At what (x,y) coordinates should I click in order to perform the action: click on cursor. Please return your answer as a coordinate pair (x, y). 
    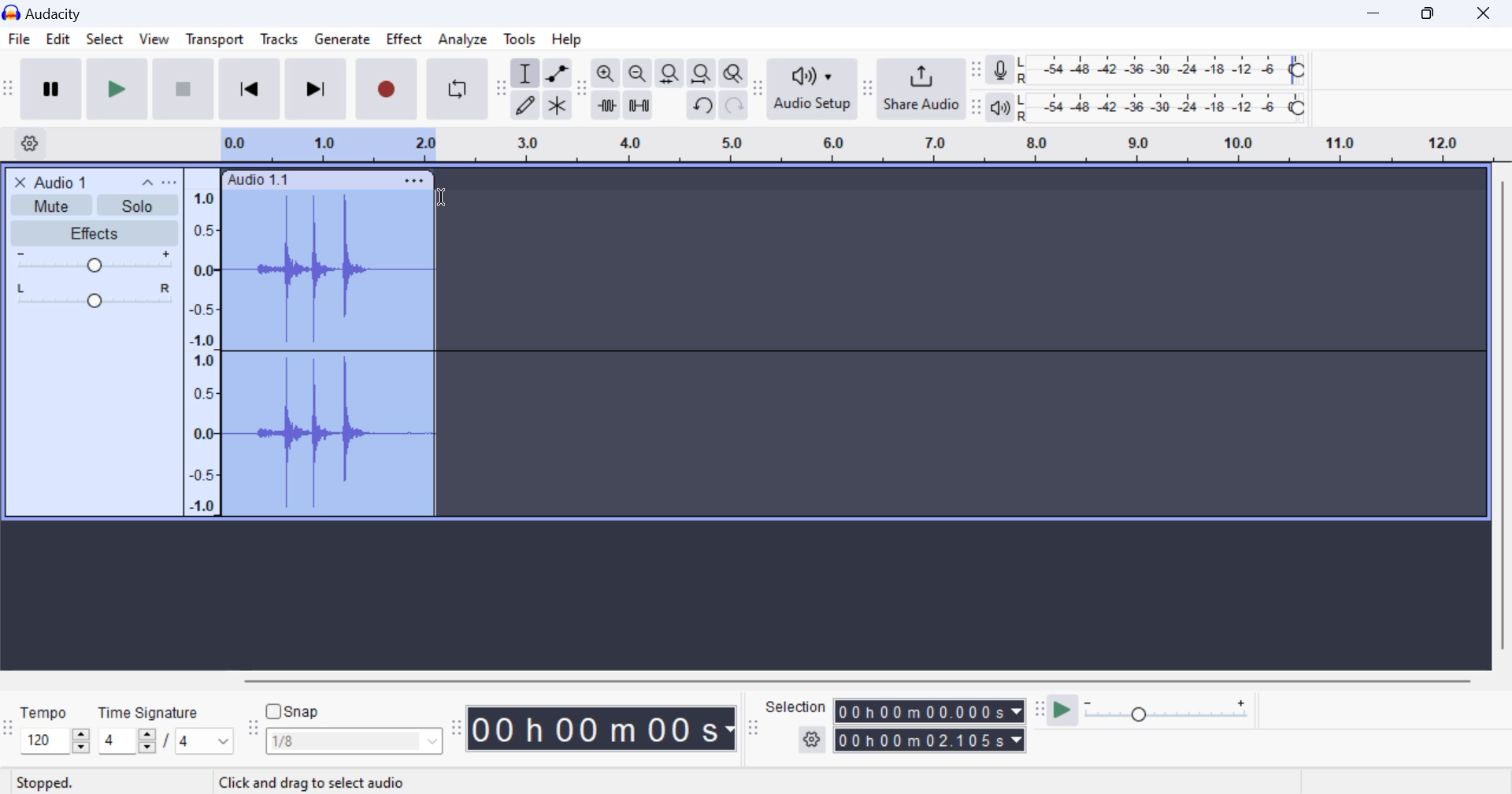
    Looking at the image, I should click on (439, 199).